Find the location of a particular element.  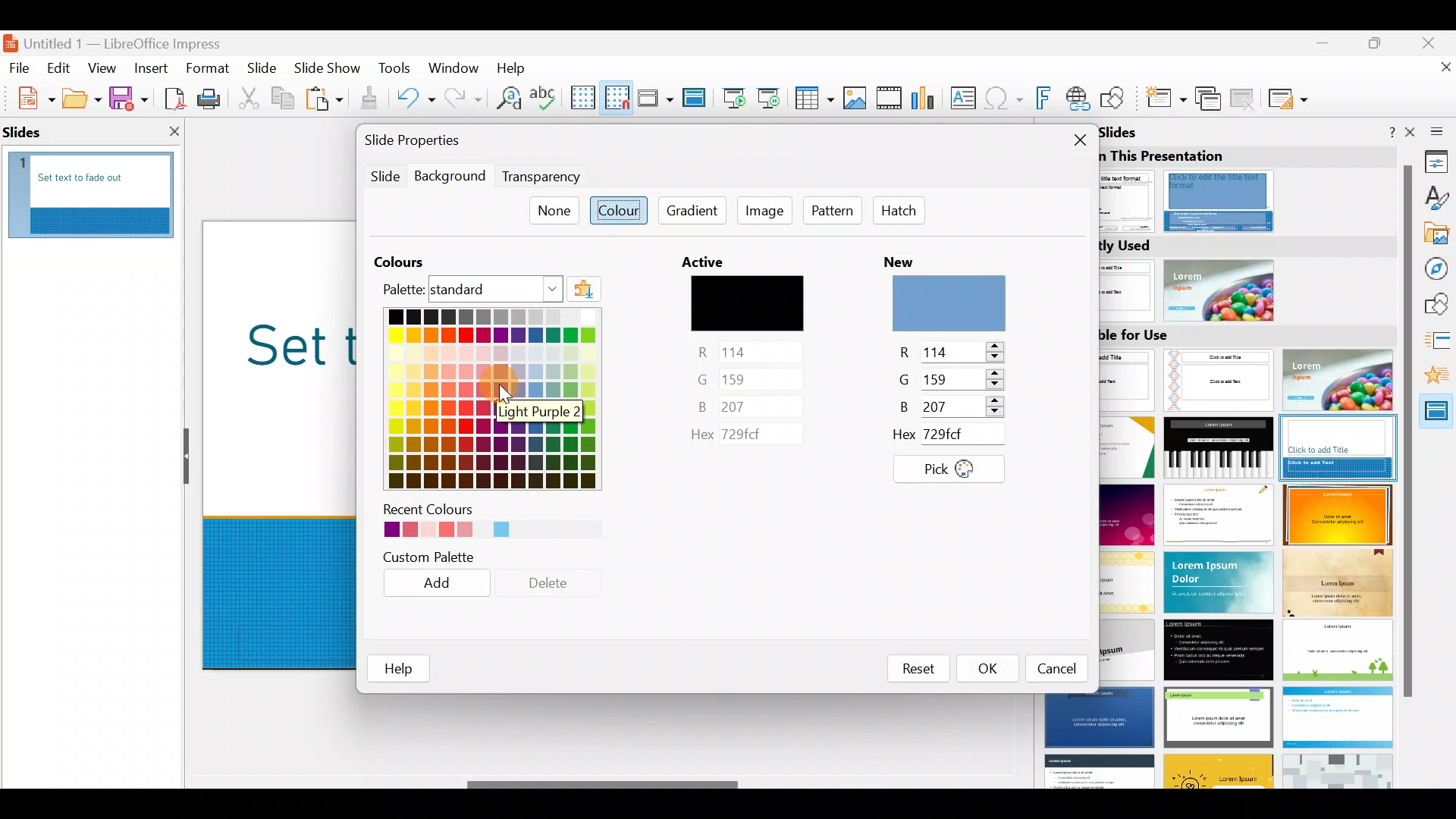

scroll bar is located at coordinates (1407, 431).